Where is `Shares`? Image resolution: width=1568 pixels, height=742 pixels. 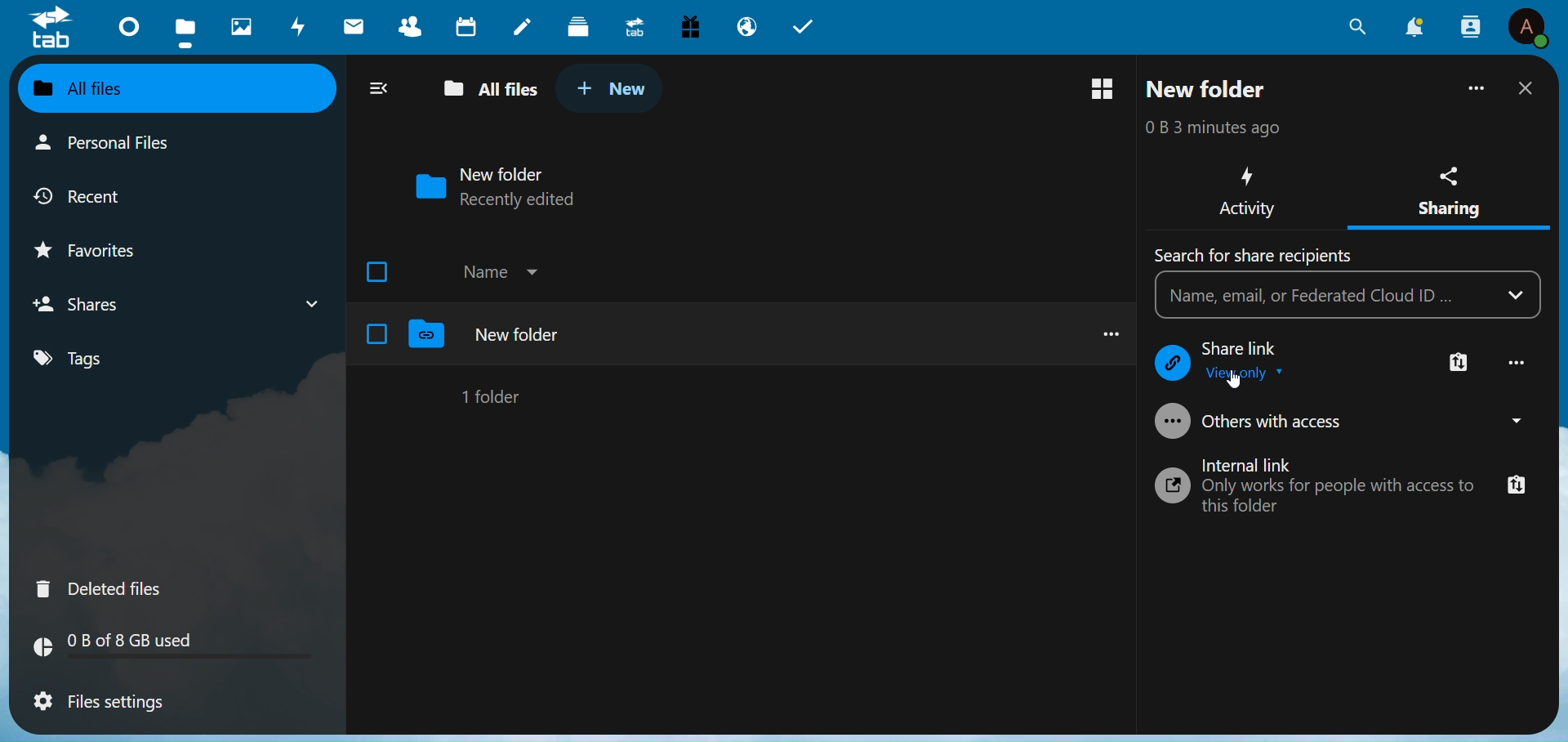
Shares is located at coordinates (87, 303).